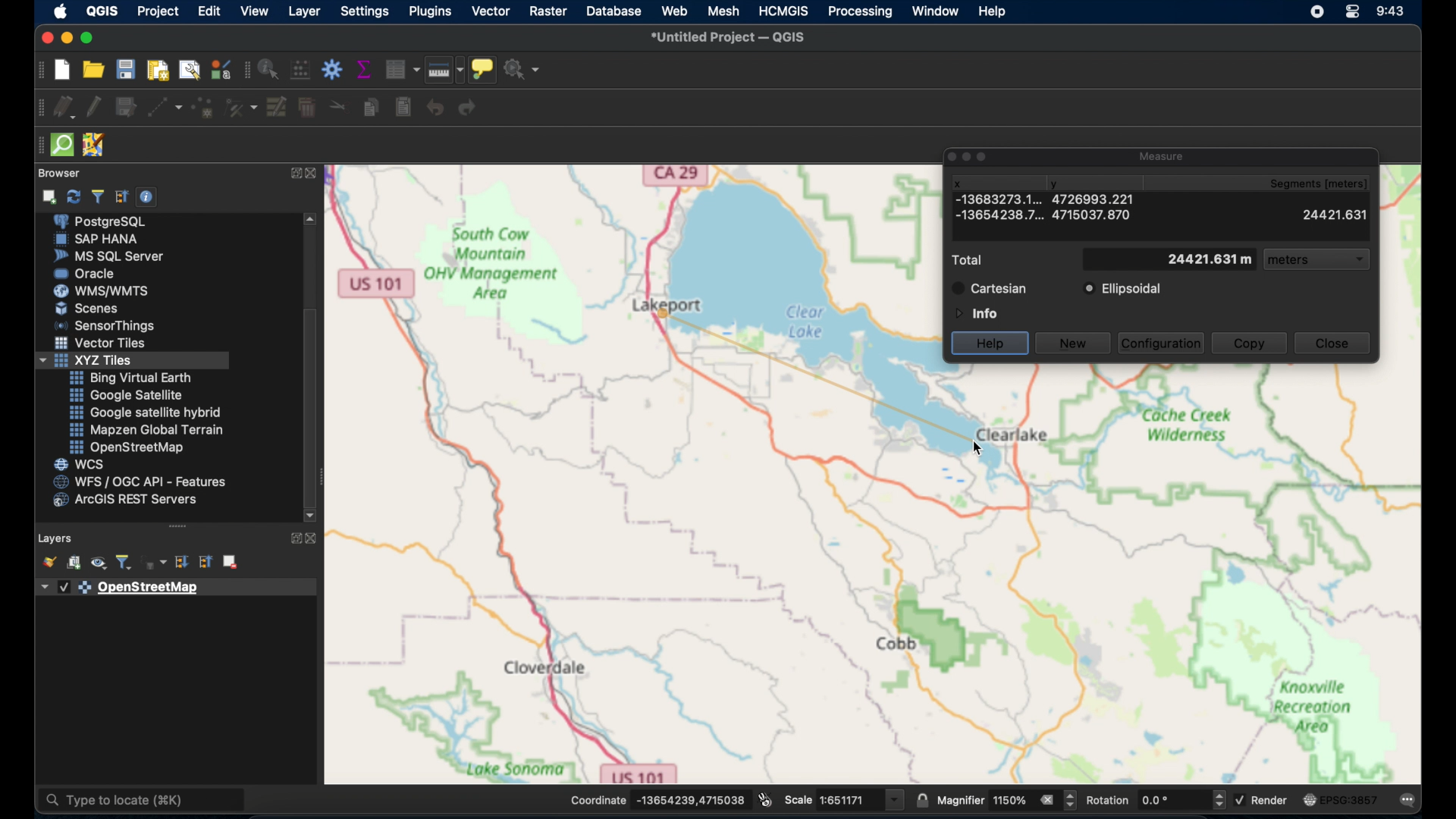 This screenshot has width=1456, height=819. What do you see at coordinates (80, 464) in the screenshot?
I see `wcs` at bounding box center [80, 464].